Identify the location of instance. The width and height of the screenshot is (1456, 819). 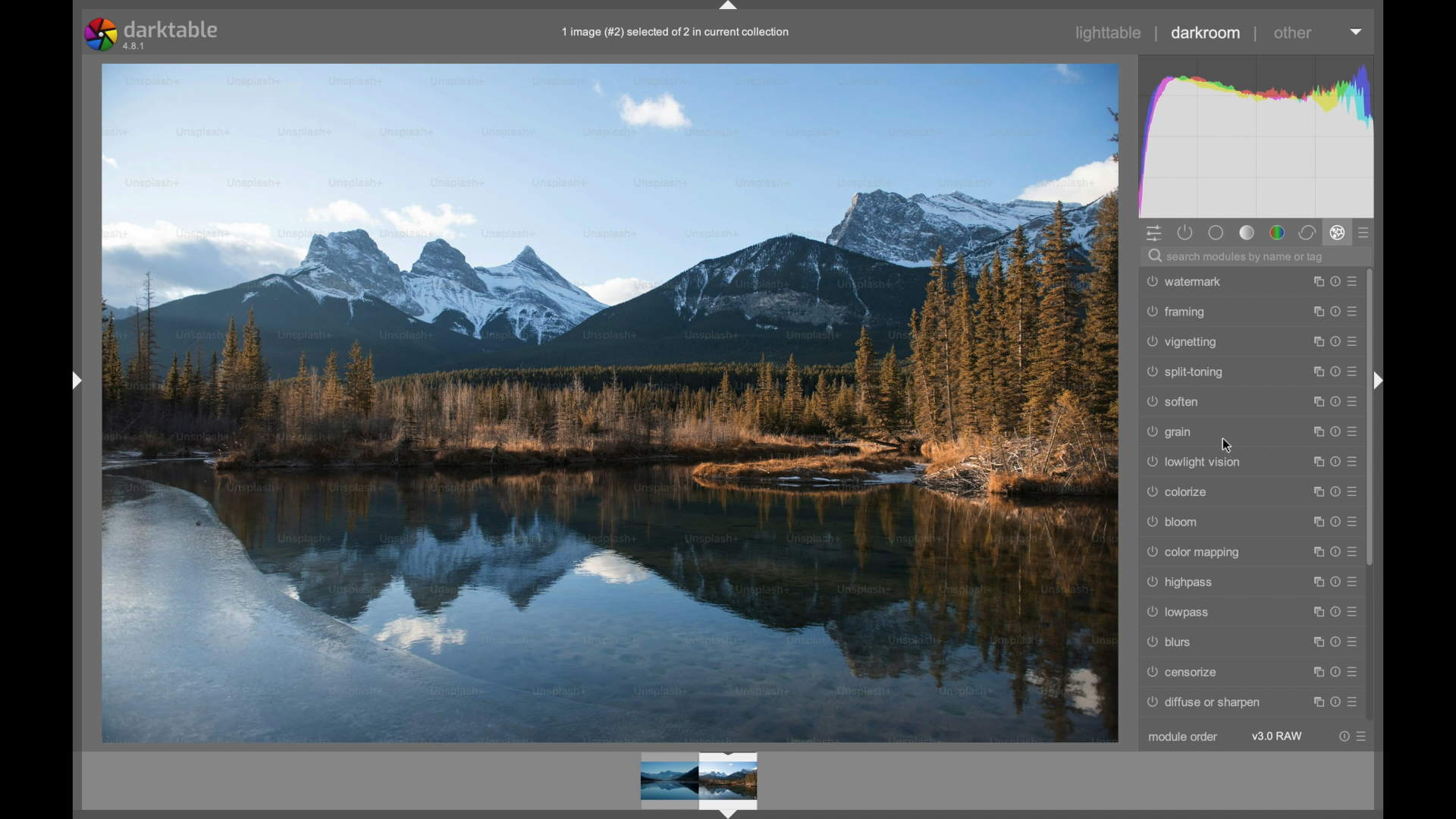
(1313, 552).